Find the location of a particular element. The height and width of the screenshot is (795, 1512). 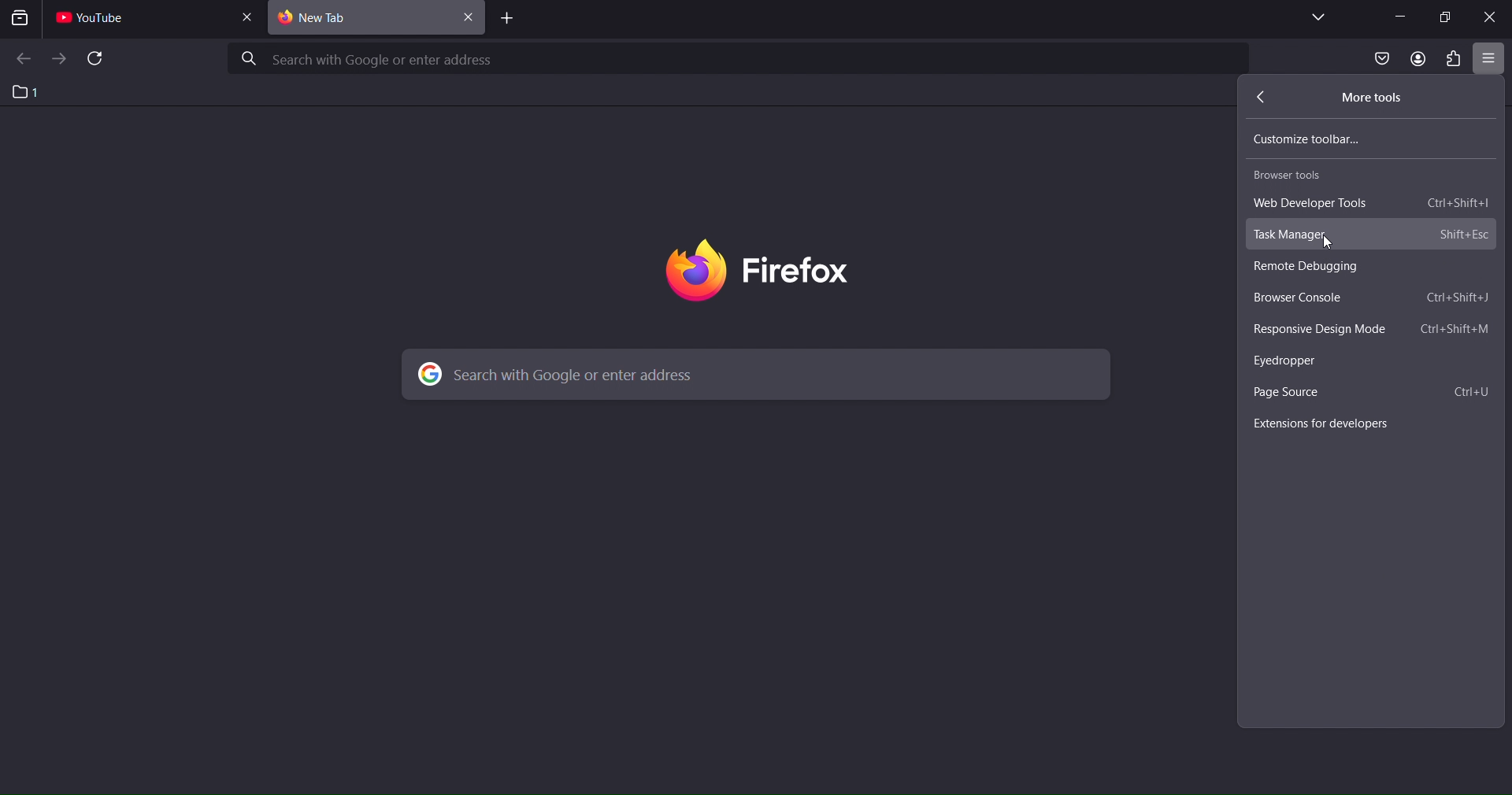

close page is located at coordinates (251, 17).